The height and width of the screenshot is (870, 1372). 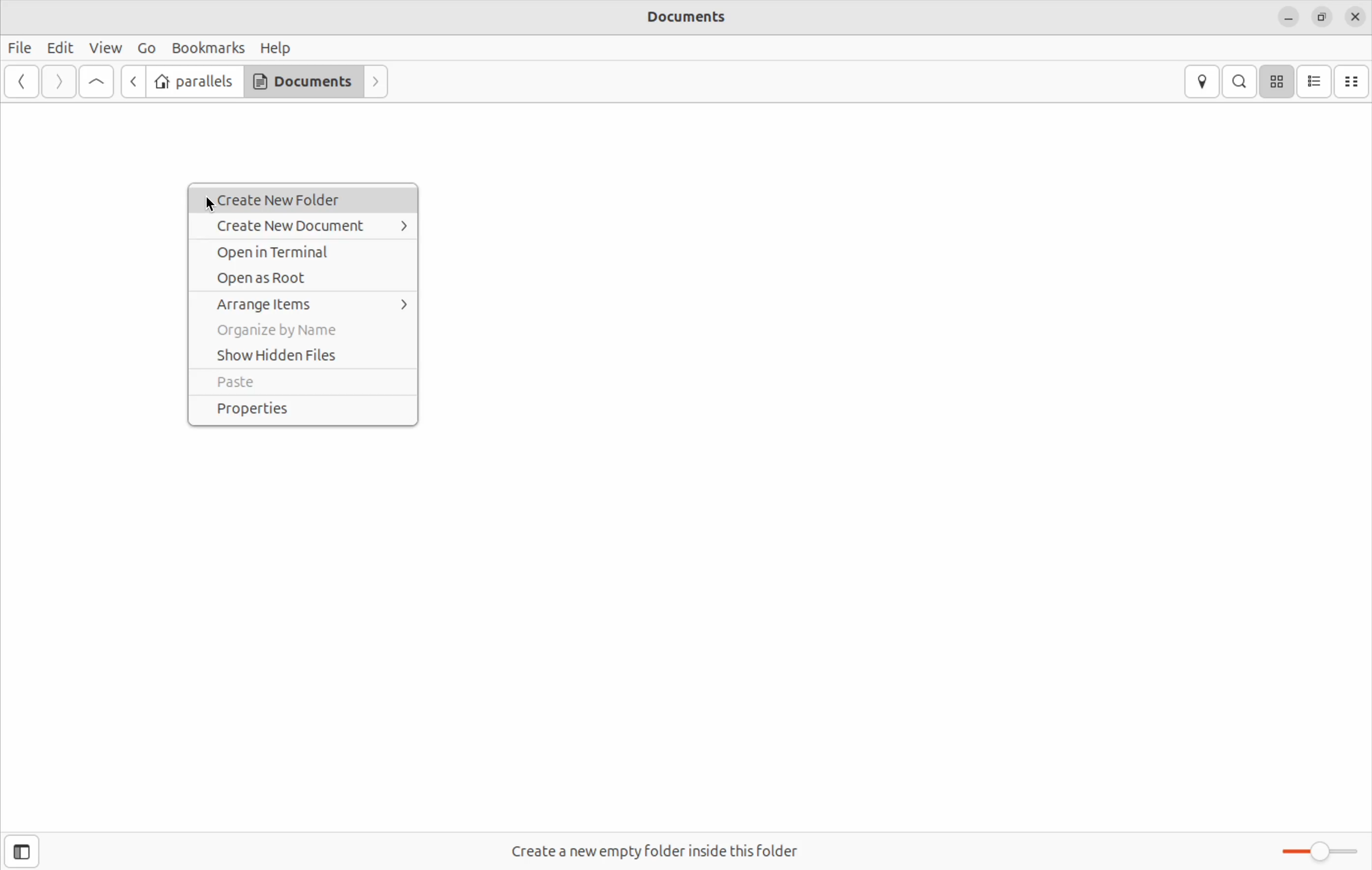 What do you see at coordinates (301, 280) in the screenshot?
I see `Open as Root` at bounding box center [301, 280].